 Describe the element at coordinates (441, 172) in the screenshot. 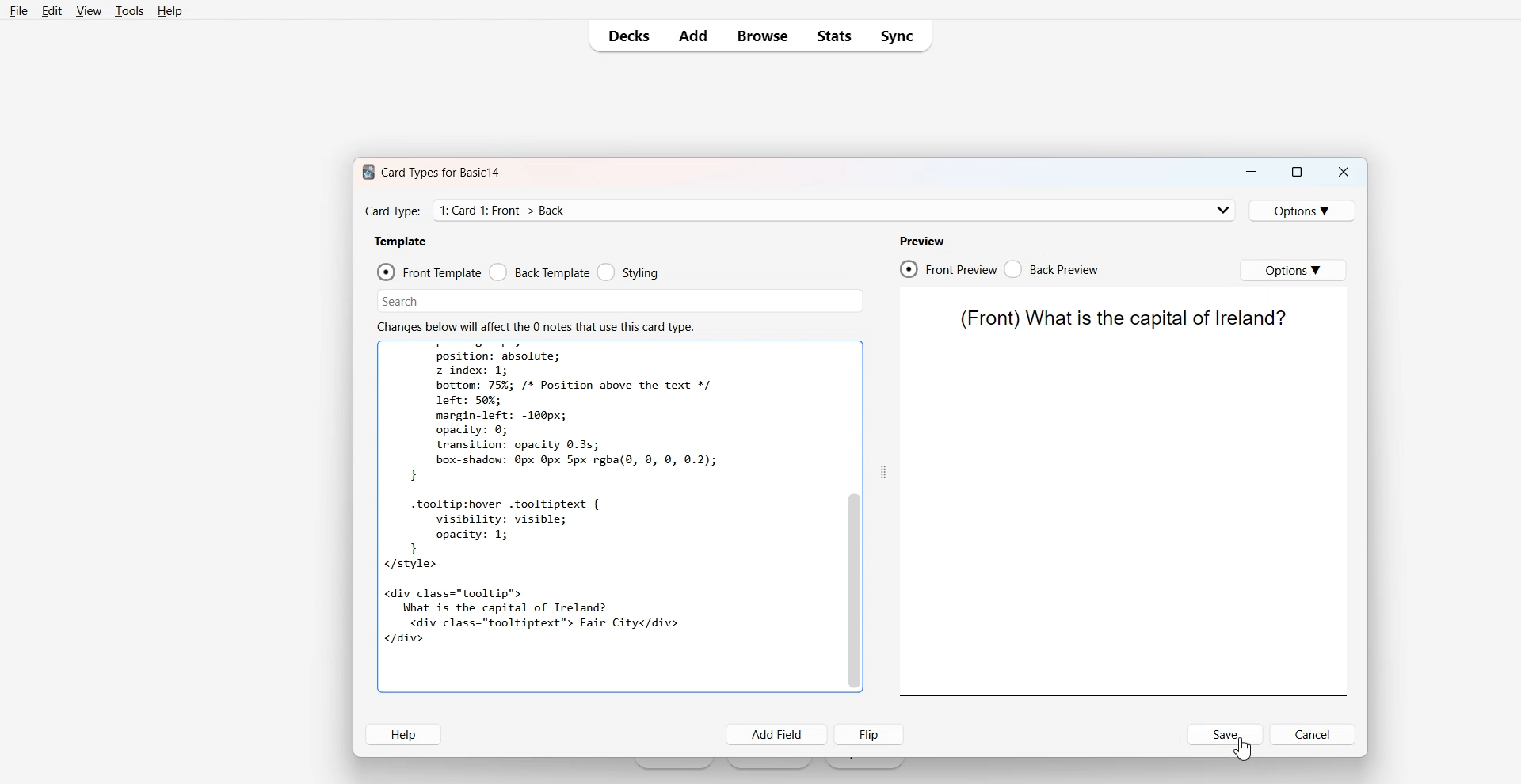

I see `Text` at that location.